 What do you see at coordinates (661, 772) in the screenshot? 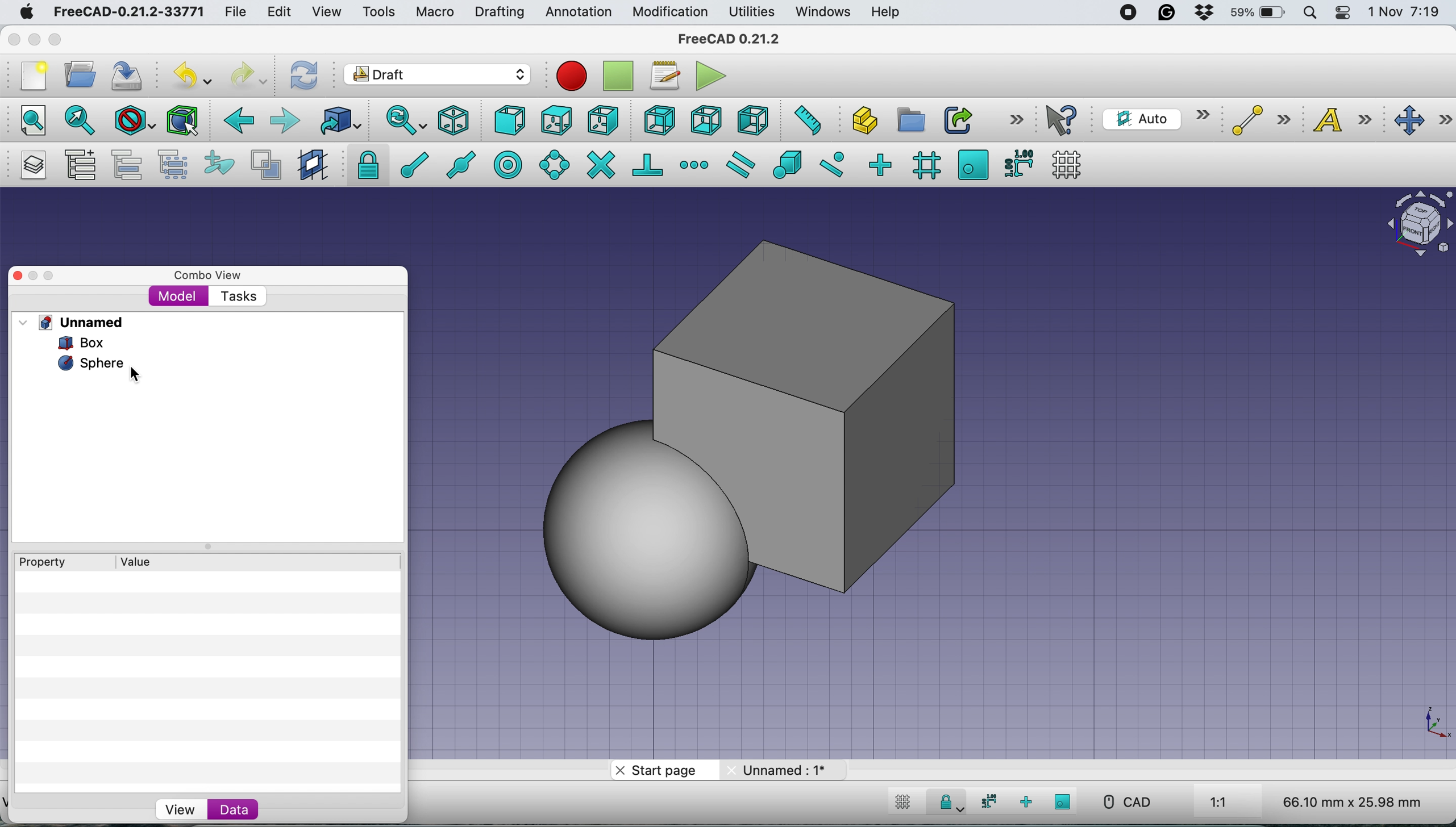
I see `start page` at bounding box center [661, 772].